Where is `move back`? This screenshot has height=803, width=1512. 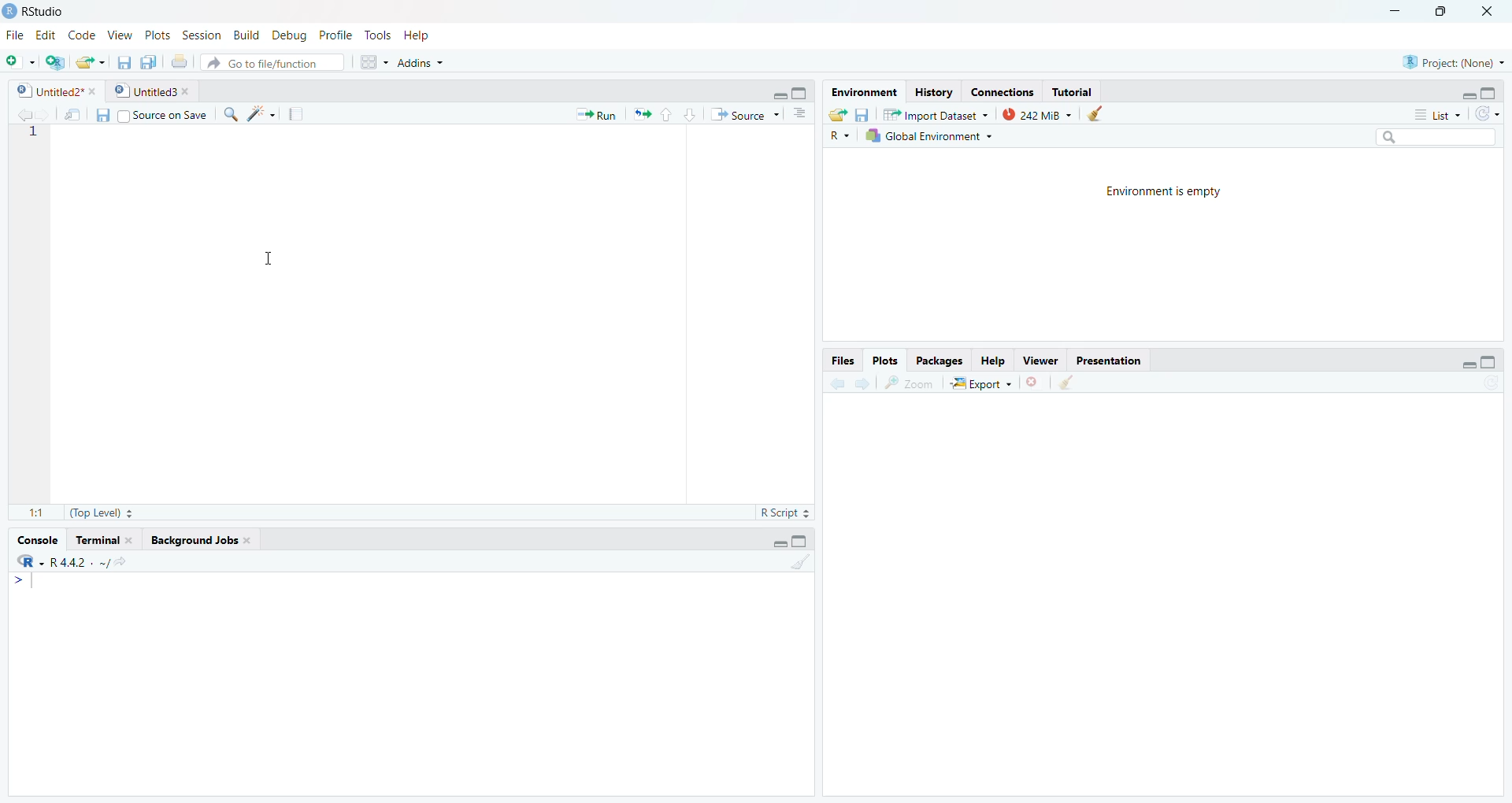 move back is located at coordinates (24, 113).